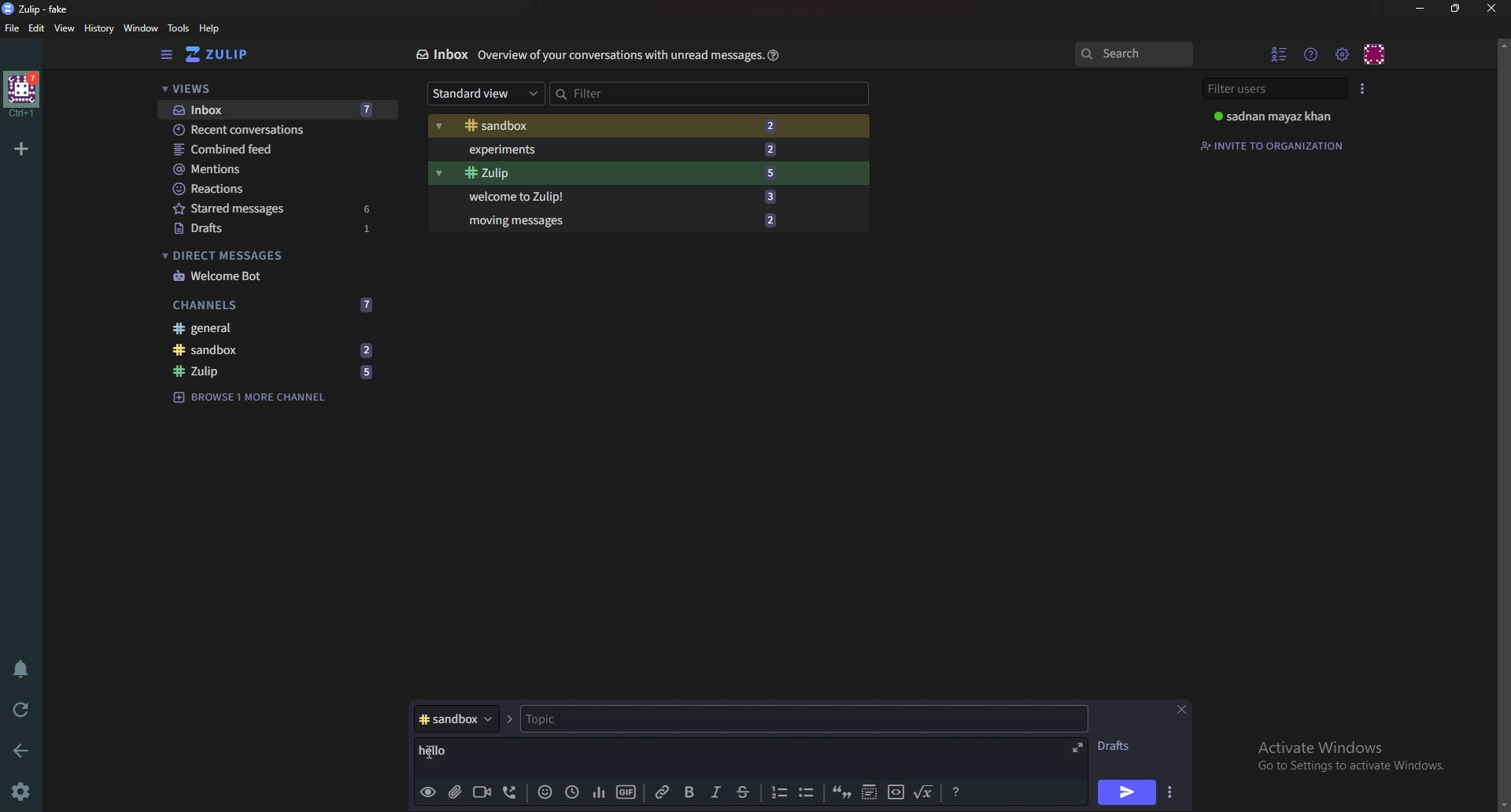 Image resolution: width=1511 pixels, height=812 pixels. What do you see at coordinates (600, 792) in the screenshot?
I see `poll` at bounding box center [600, 792].